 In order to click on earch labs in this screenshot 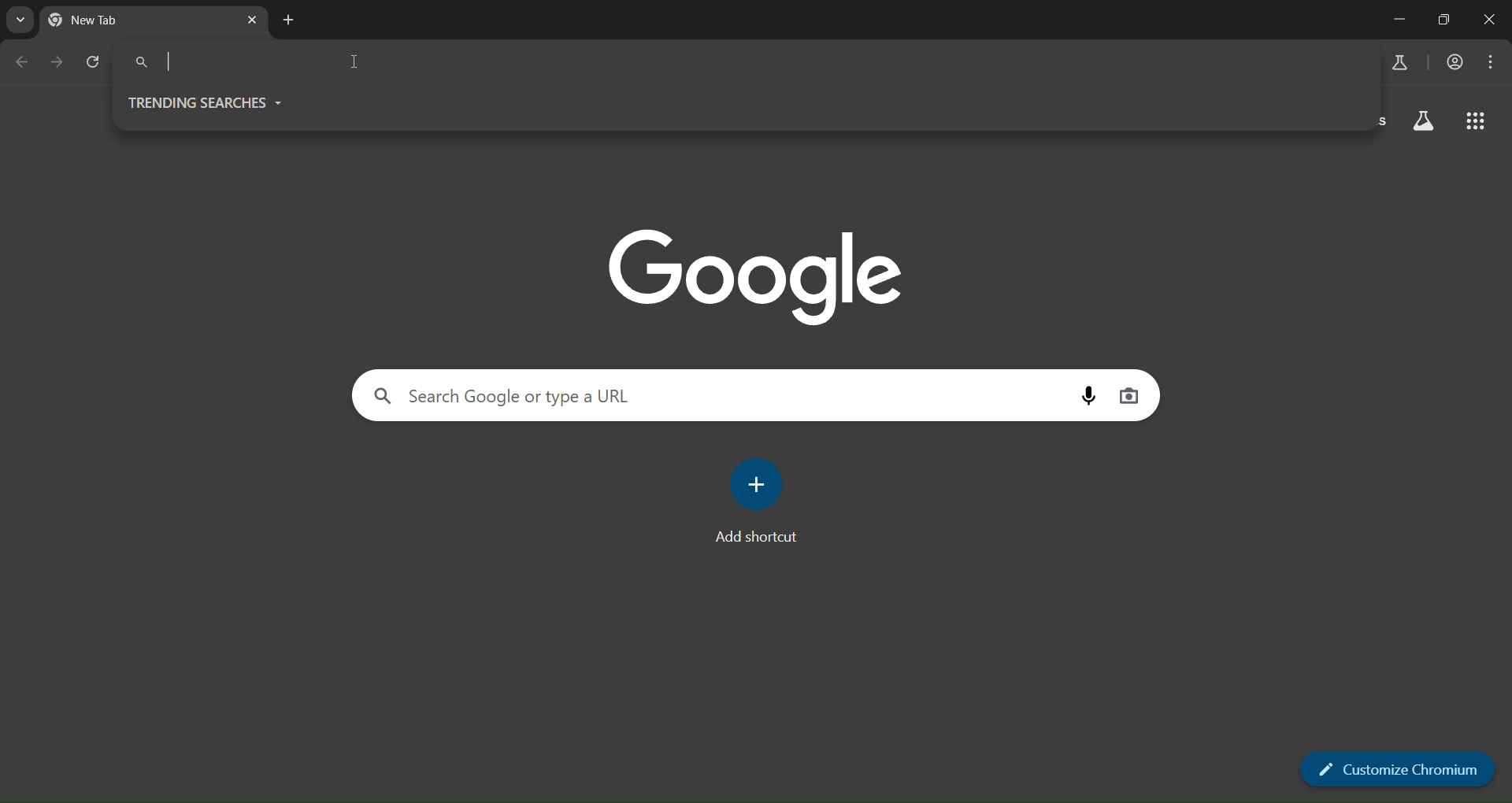, I will do `click(1400, 62)`.